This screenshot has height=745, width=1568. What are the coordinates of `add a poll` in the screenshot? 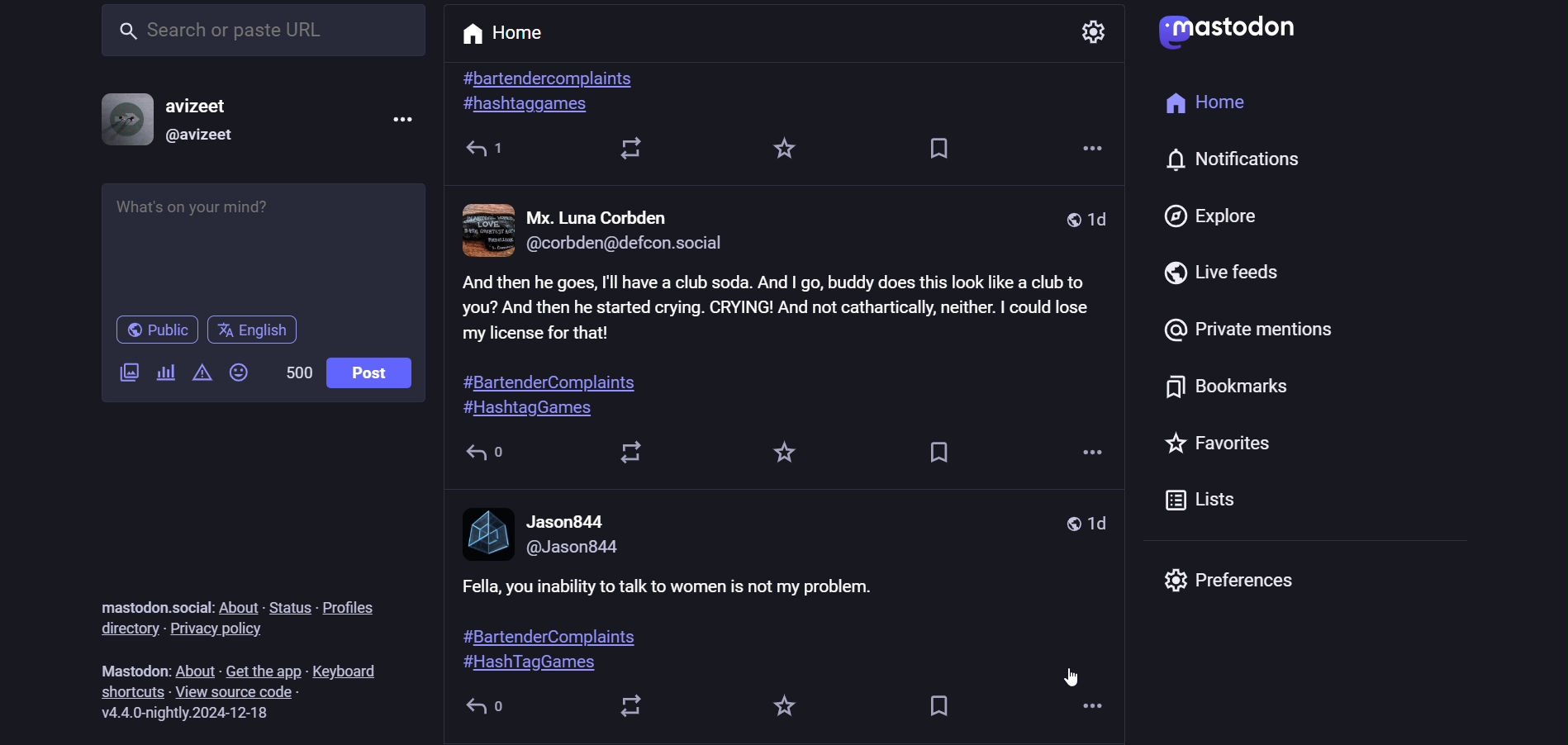 It's located at (165, 373).